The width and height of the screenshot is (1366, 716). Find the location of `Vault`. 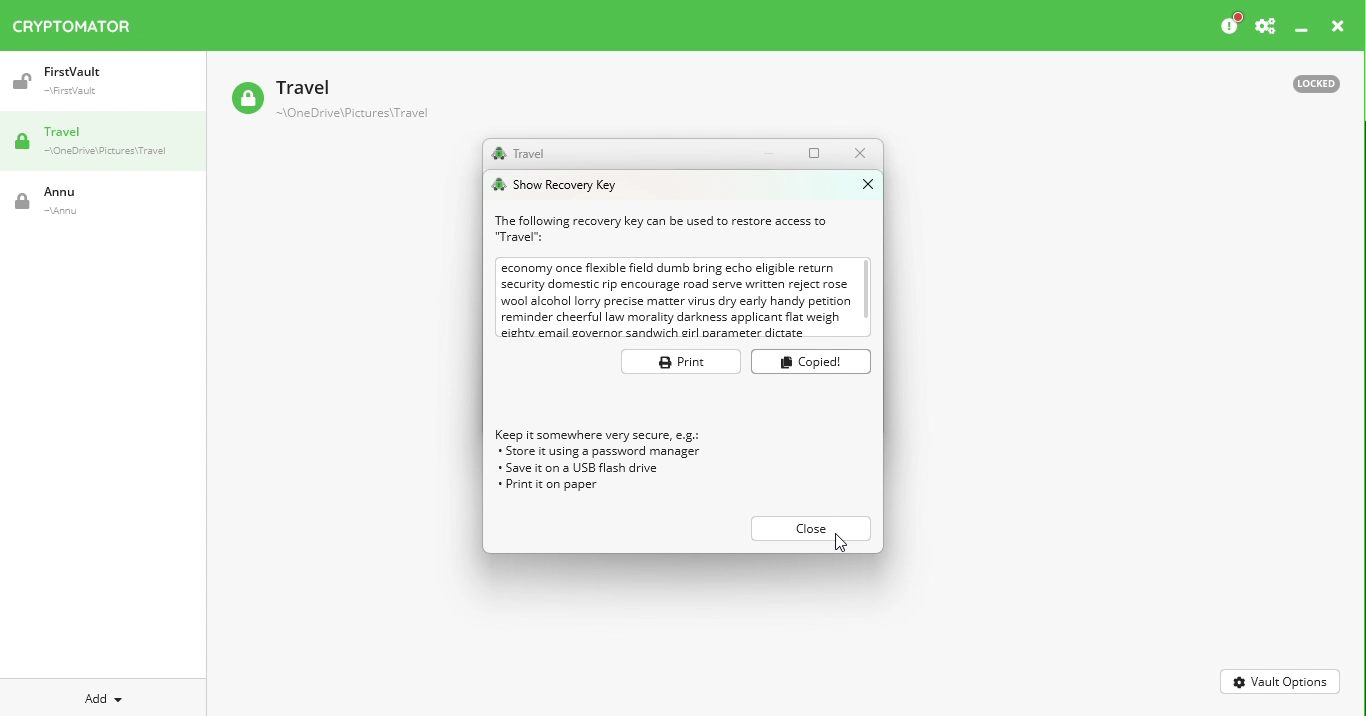

Vault is located at coordinates (93, 81).